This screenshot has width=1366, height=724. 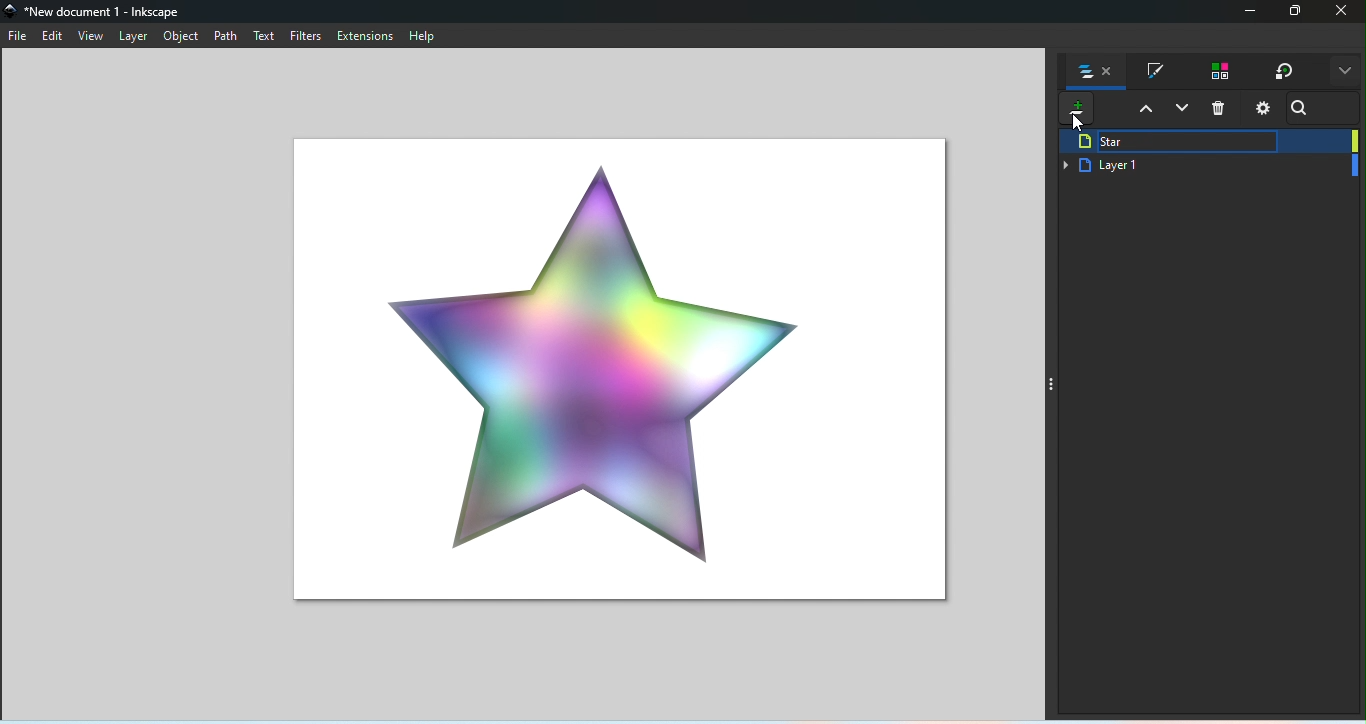 What do you see at coordinates (98, 10) in the screenshot?
I see `File name` at bounding box center [98, 10].